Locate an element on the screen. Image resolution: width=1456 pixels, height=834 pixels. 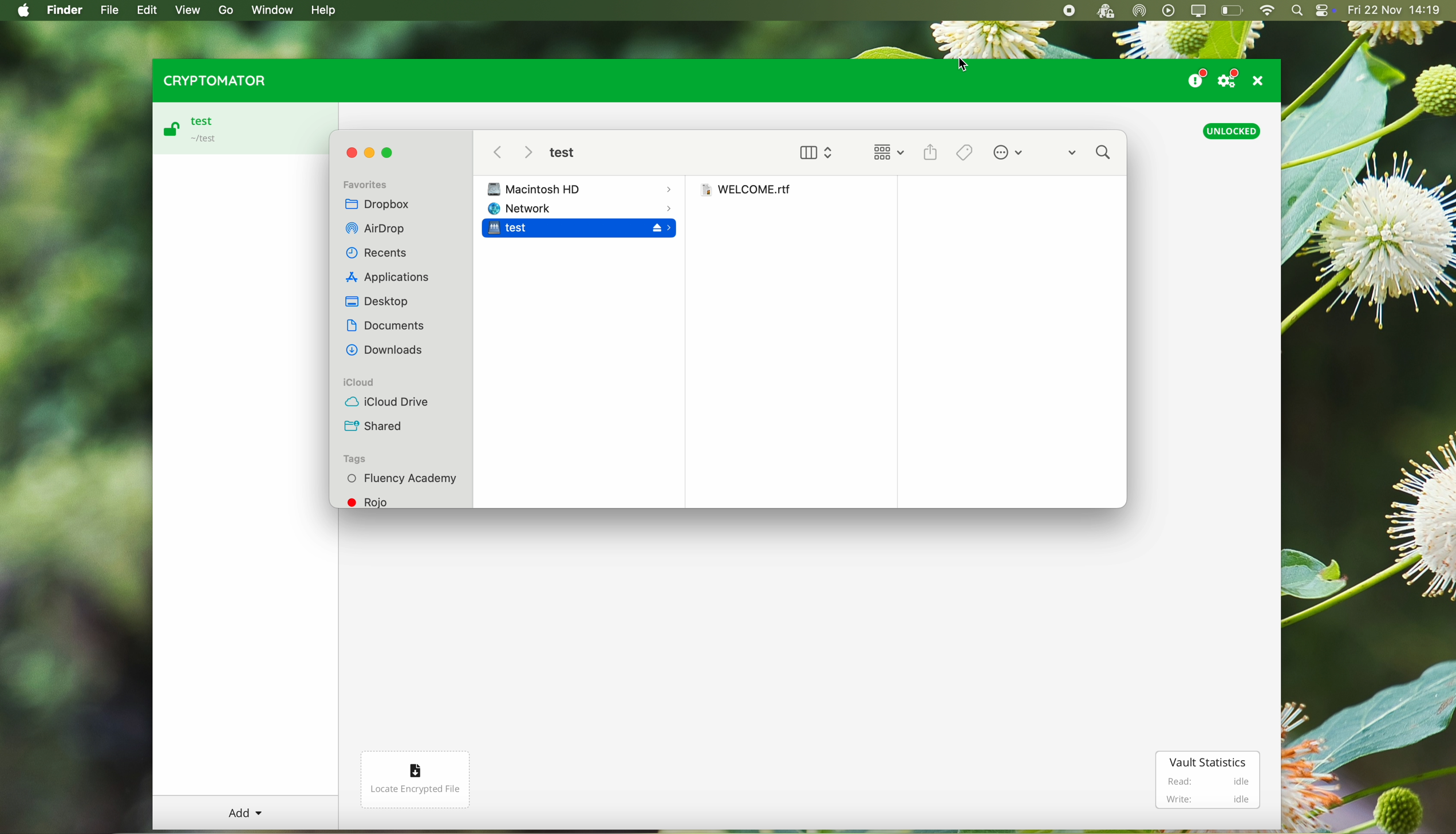
previous is located at coordinates (496, 152).